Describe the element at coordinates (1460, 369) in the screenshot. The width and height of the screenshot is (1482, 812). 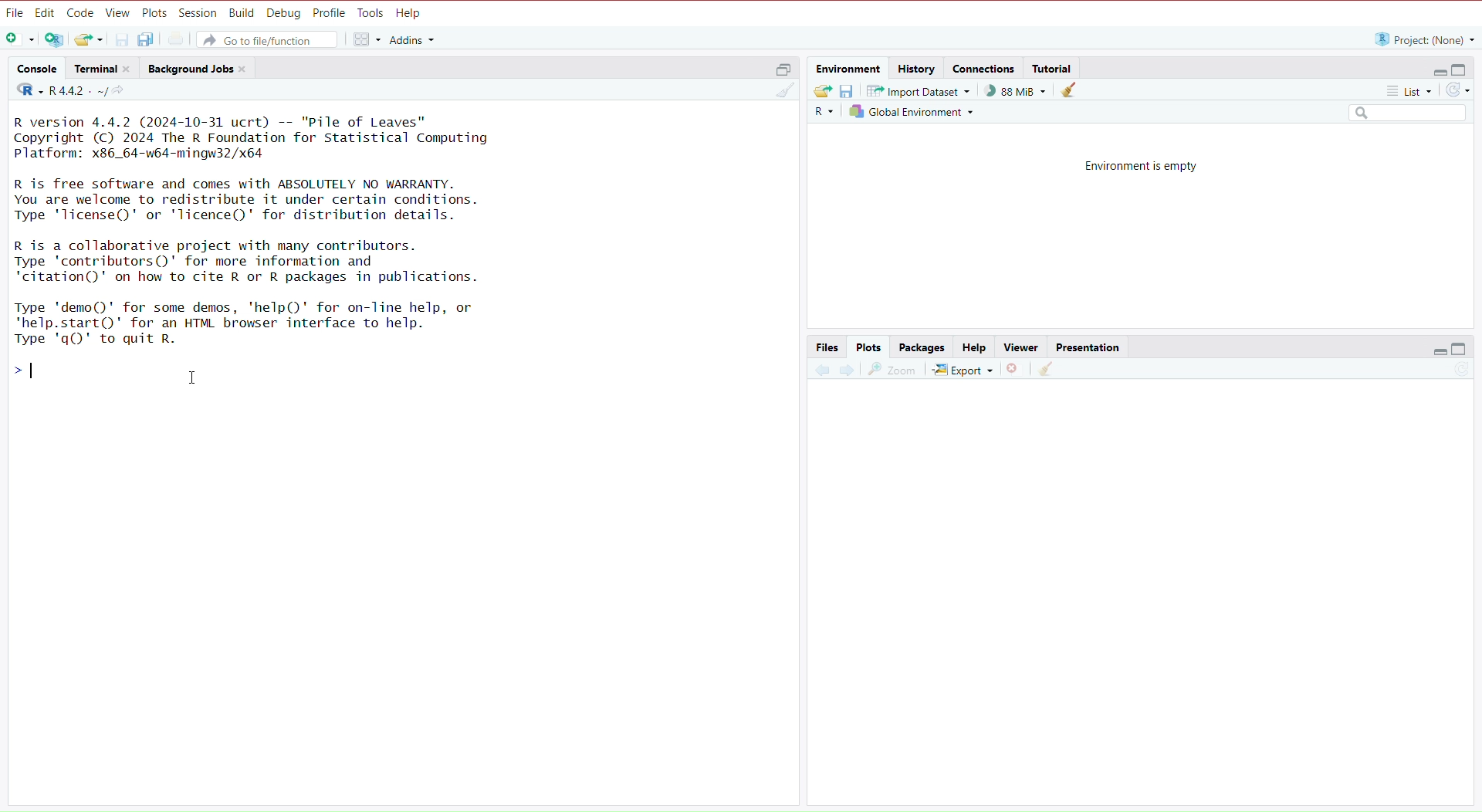
I see `Refresh list` at that location.